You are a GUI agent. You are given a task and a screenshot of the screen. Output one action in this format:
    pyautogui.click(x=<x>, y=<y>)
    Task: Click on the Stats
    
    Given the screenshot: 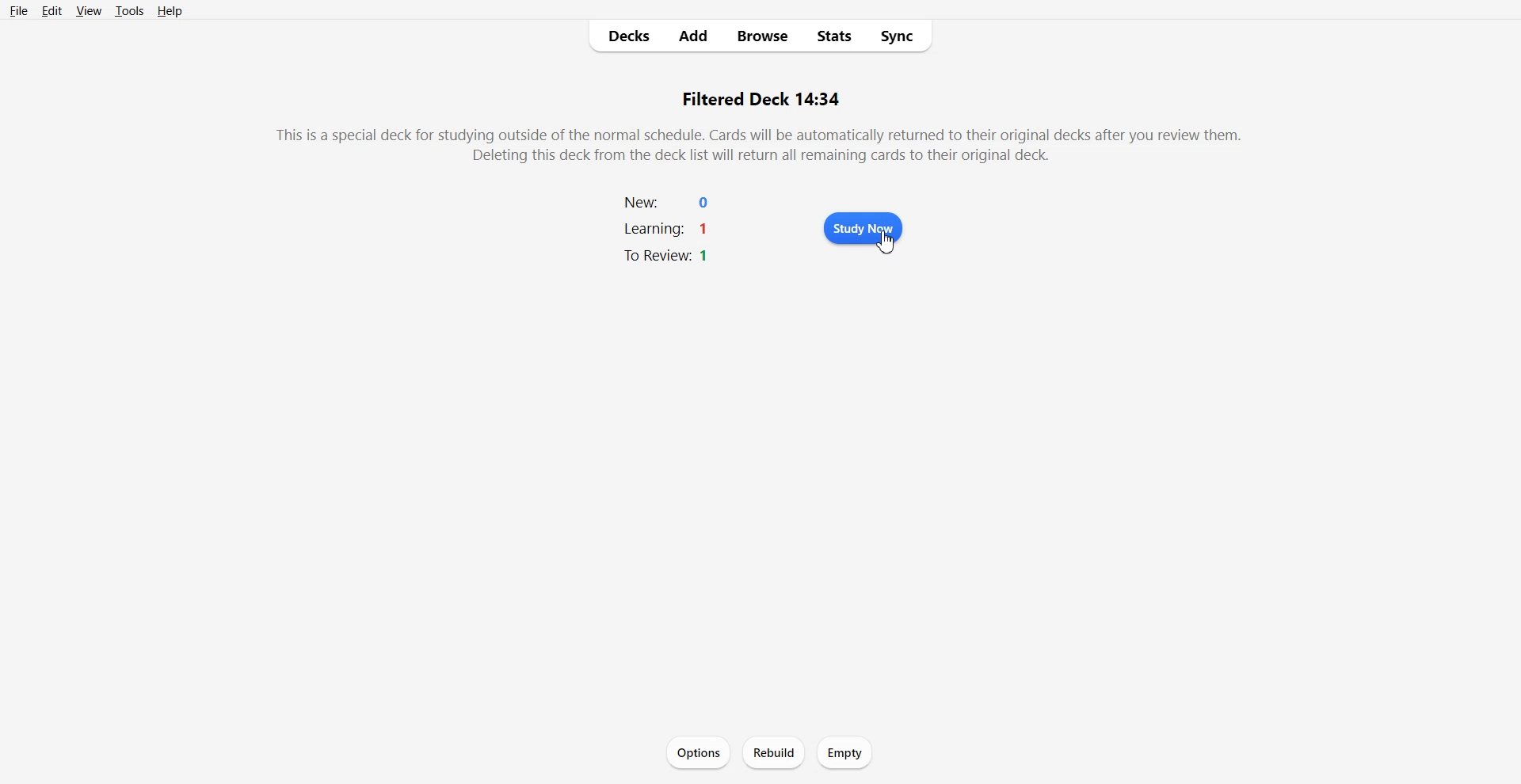 What is the action you would take?
    pyautogui.click(x=833, y=36)
    